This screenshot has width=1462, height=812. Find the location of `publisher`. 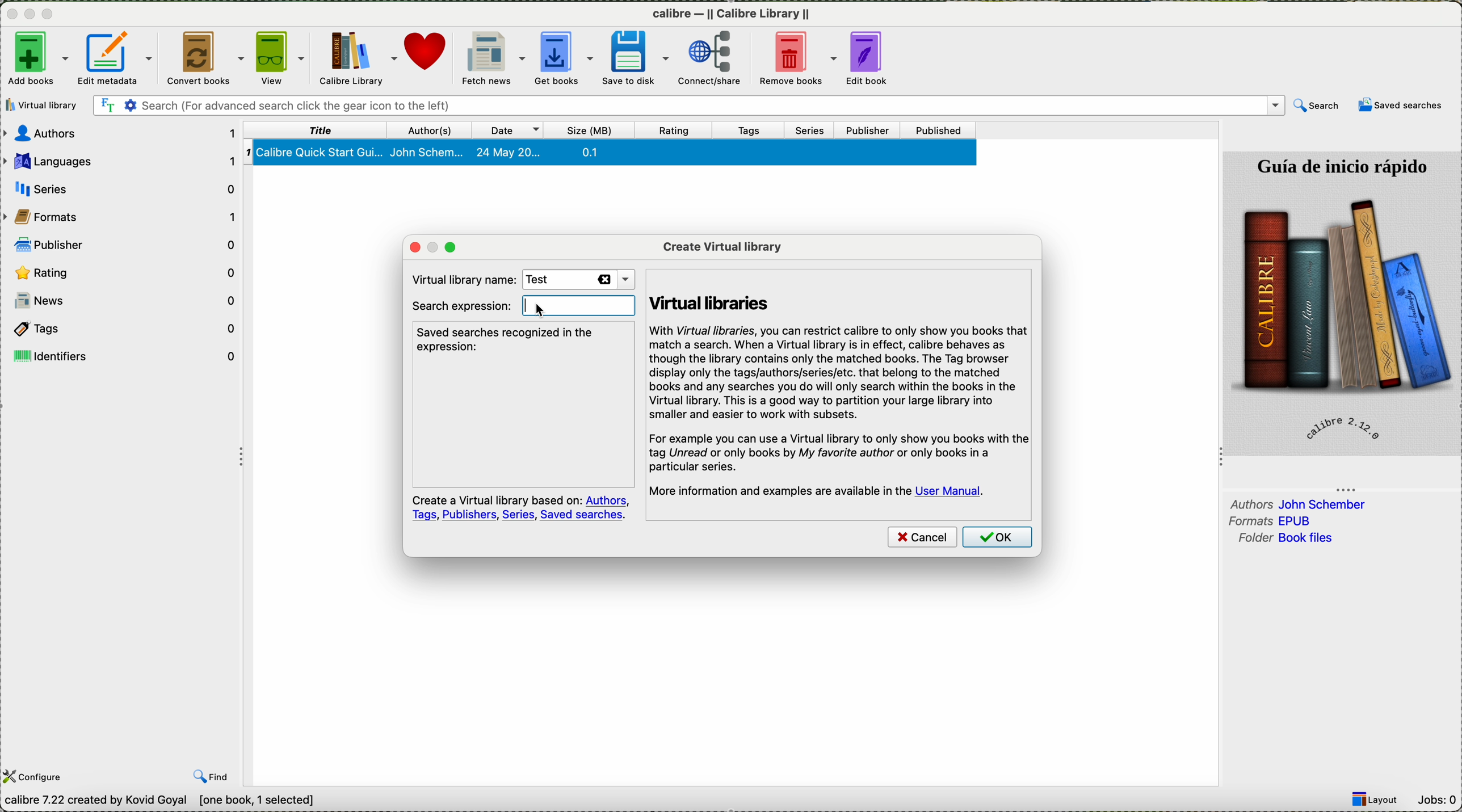

publisher is located at coordinates (869, 128).